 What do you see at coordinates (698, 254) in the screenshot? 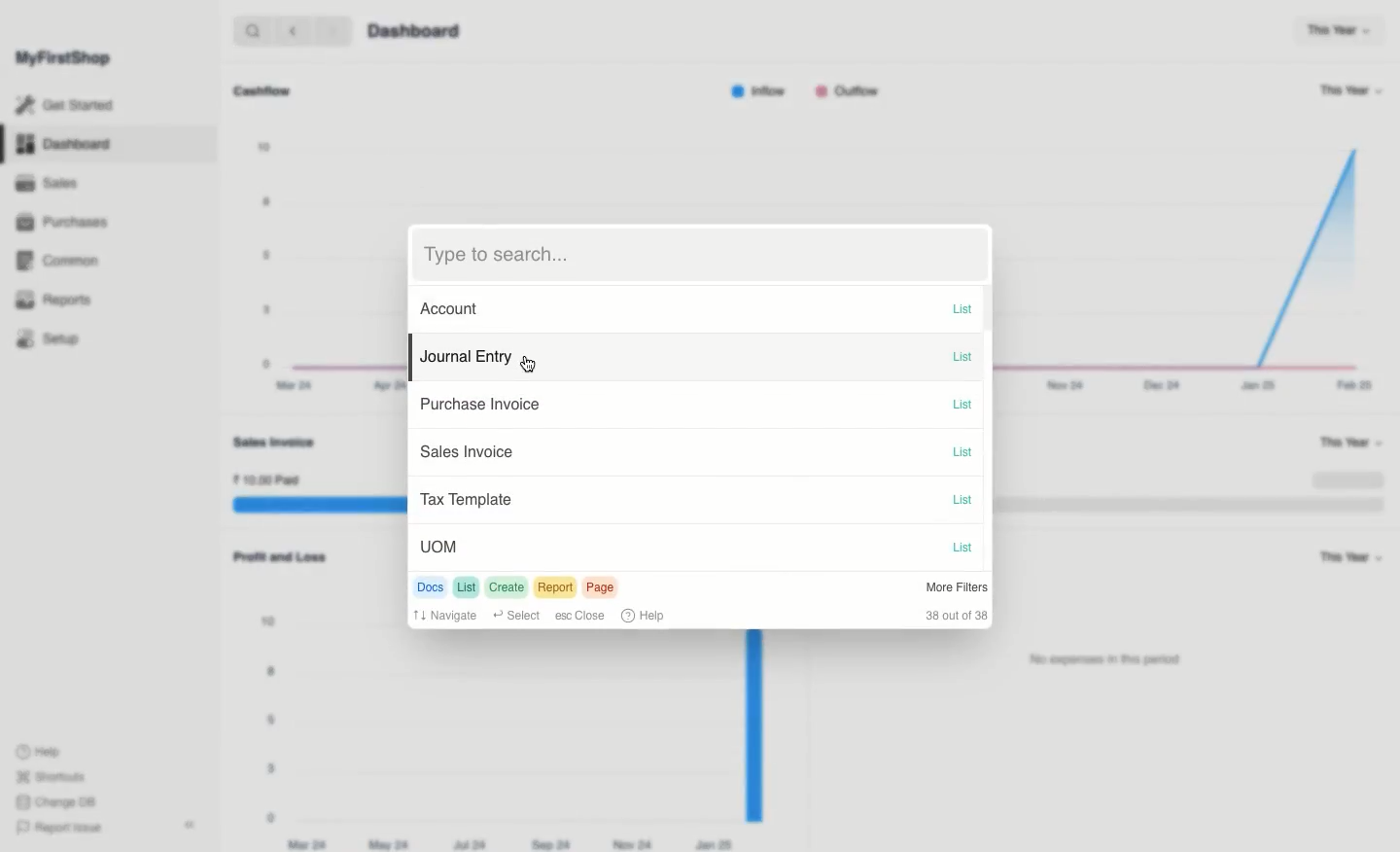
I see `Type to search...` at bounding box center [698, 254].